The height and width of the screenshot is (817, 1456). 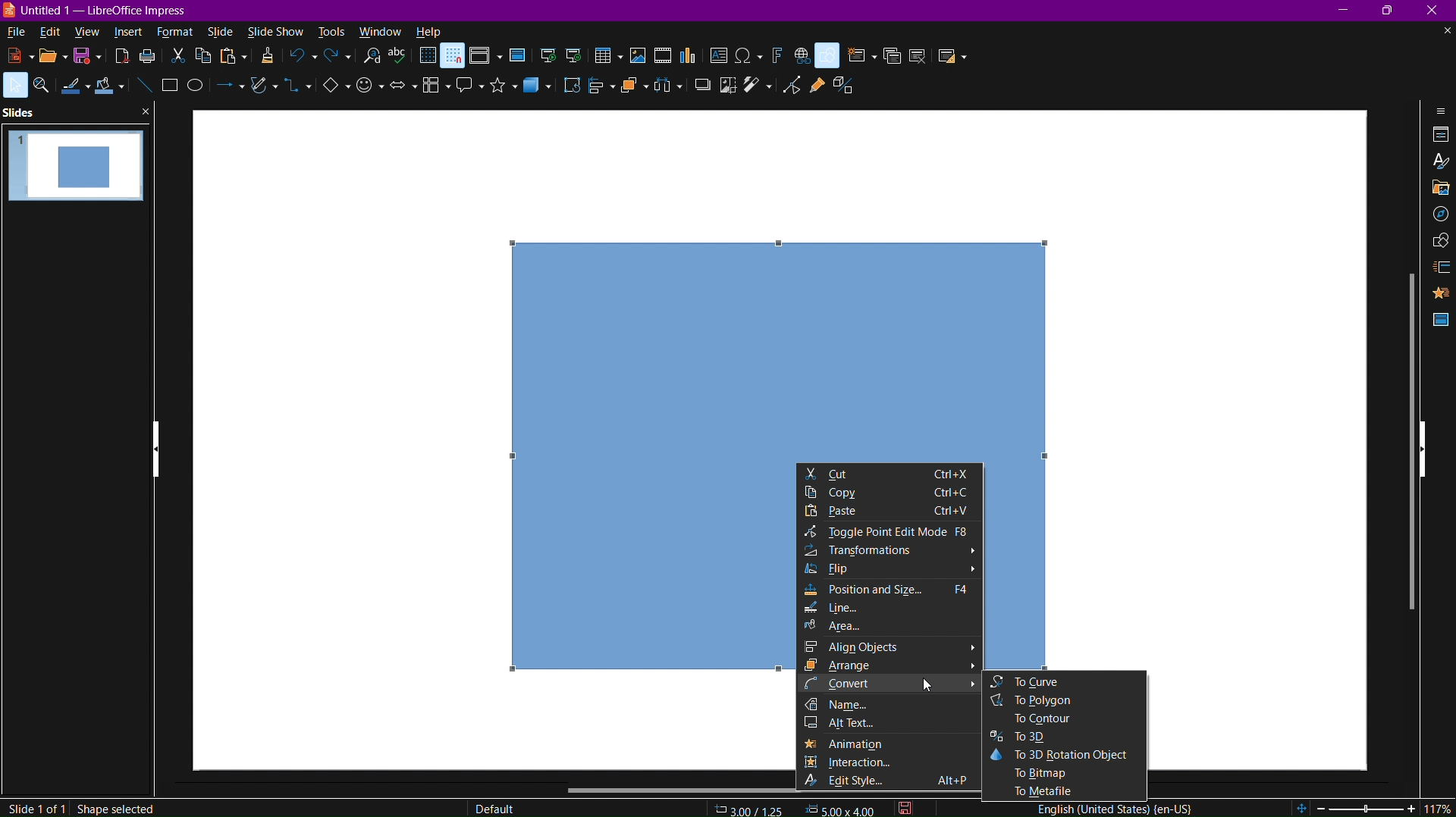 I want to click on Interaction, so click(x=894, y=764).